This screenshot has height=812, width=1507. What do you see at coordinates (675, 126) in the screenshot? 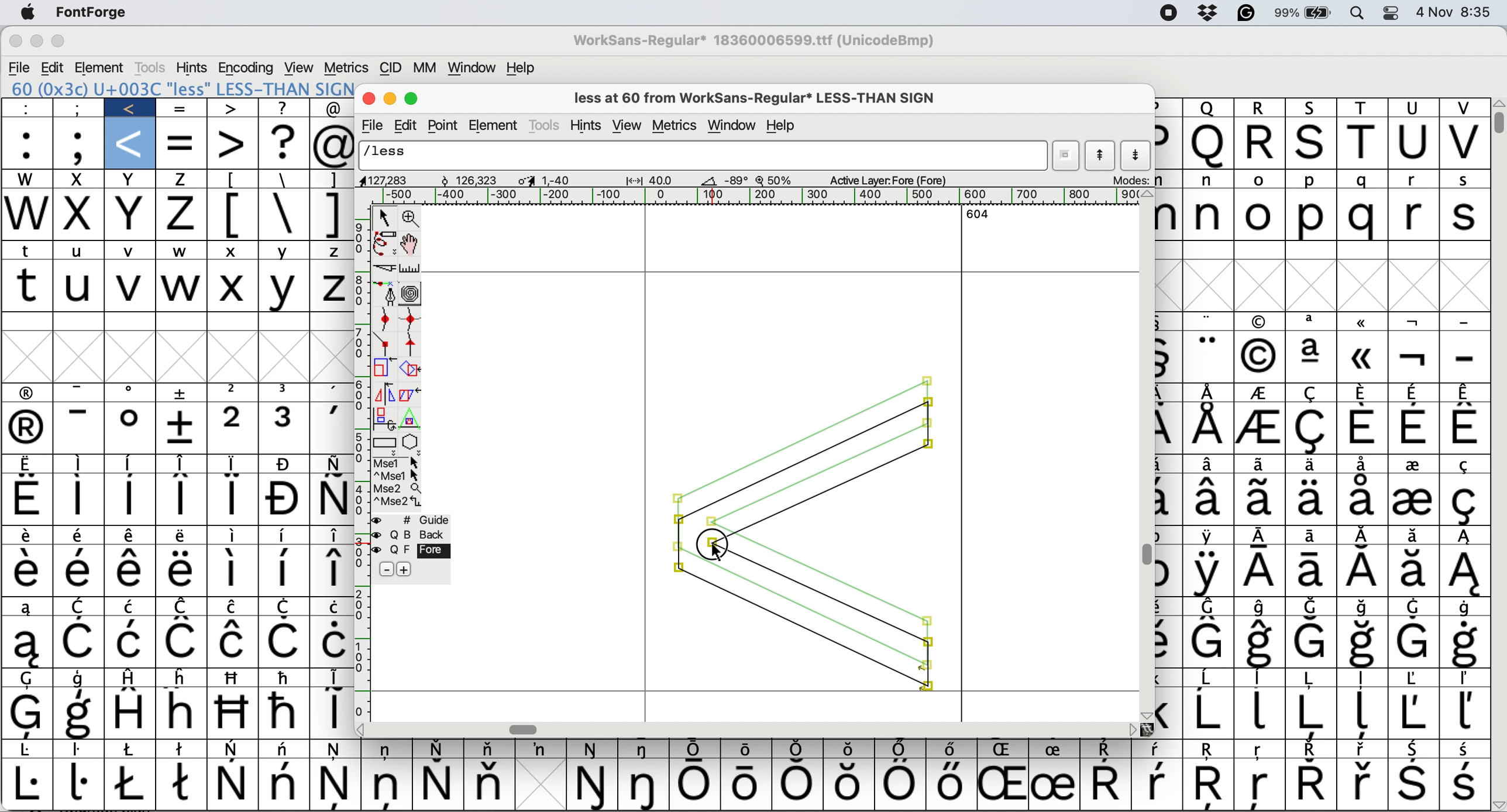
I see `metrics` at bounding box center [675, 126].